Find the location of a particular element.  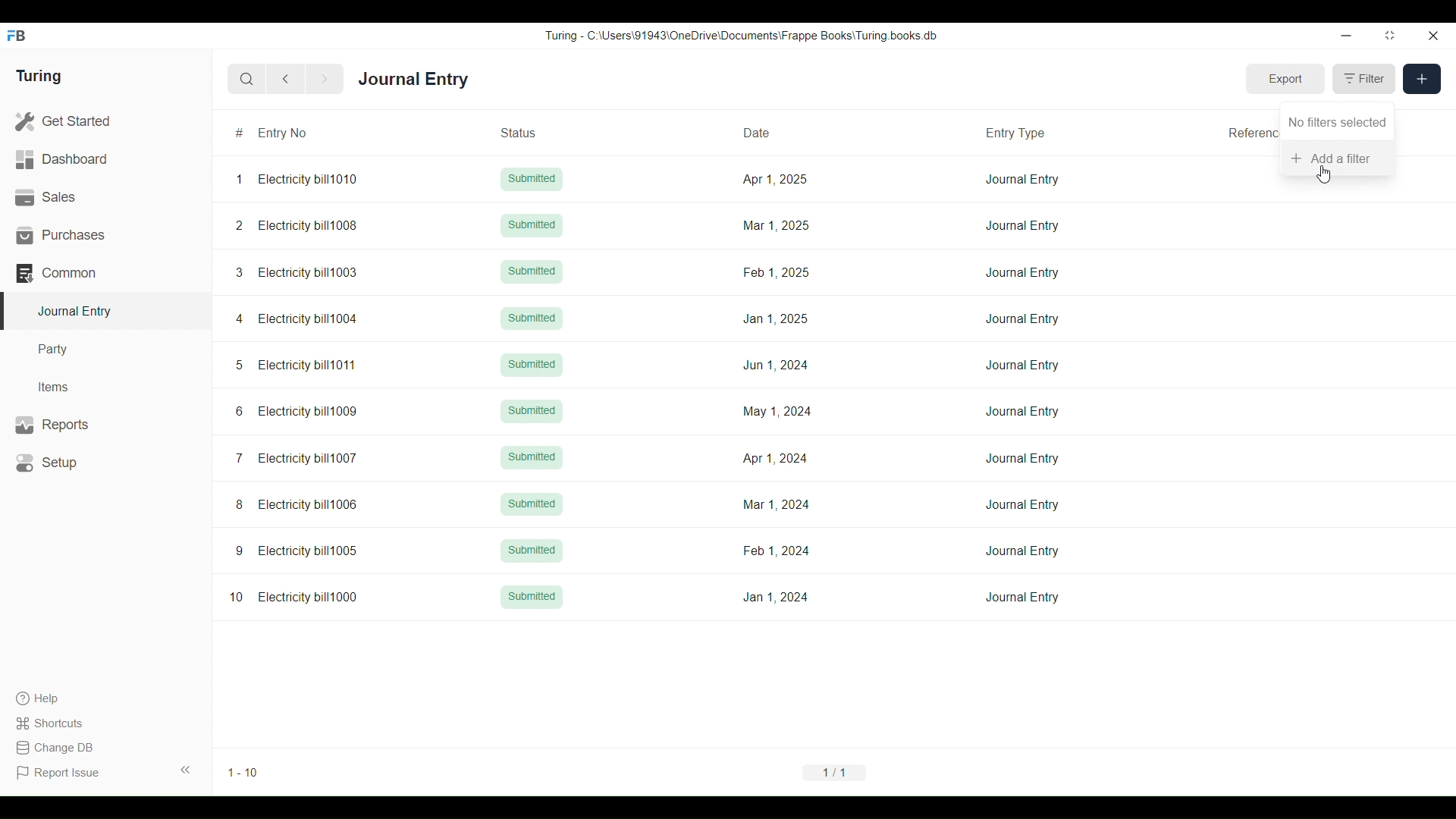

# Entry No is located at coordinates (303, 133).